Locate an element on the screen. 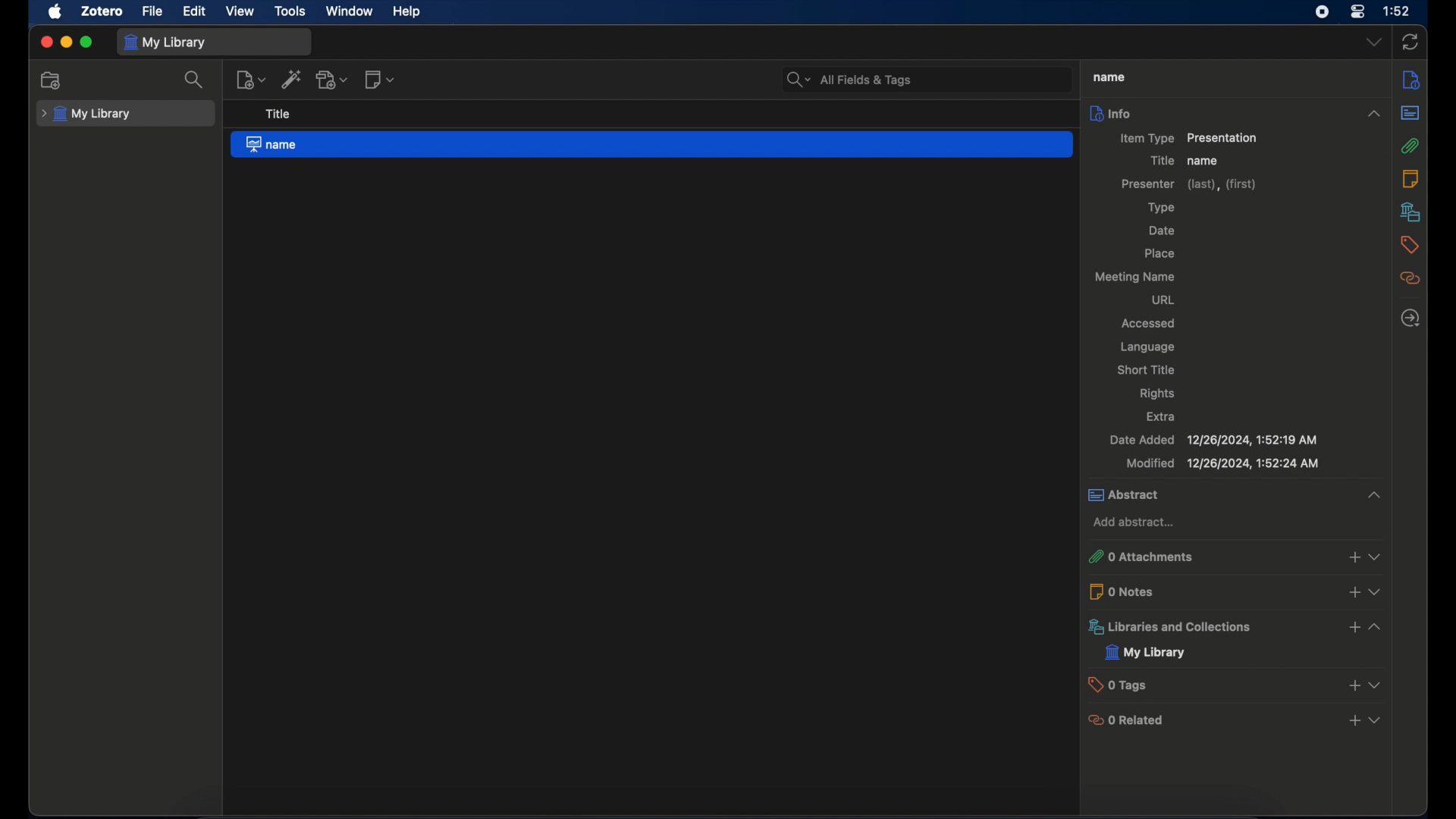  my library is located at coordinates (167, 42).